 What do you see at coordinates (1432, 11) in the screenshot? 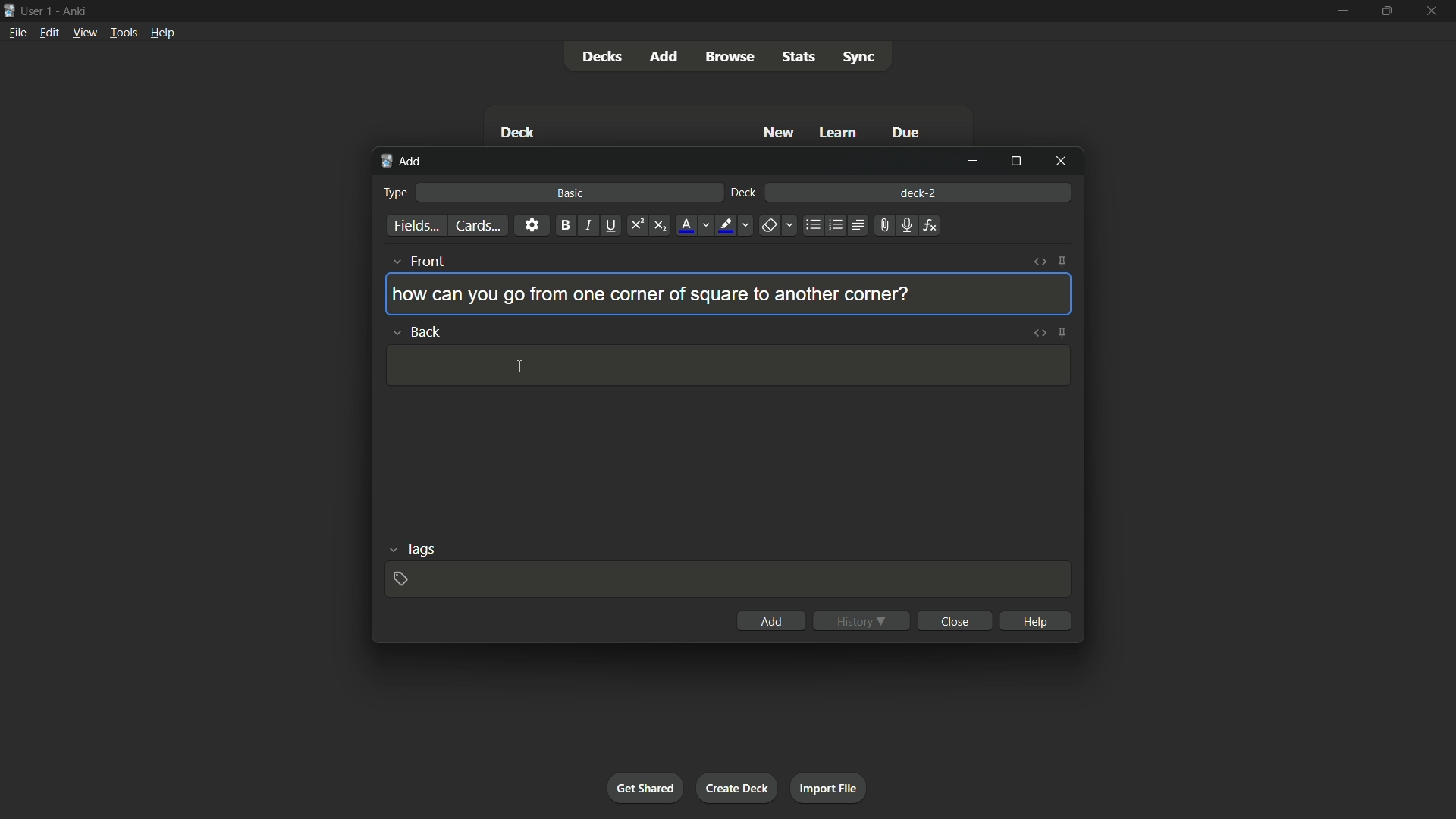
I see `close app` at bounding box center [1432, 11].